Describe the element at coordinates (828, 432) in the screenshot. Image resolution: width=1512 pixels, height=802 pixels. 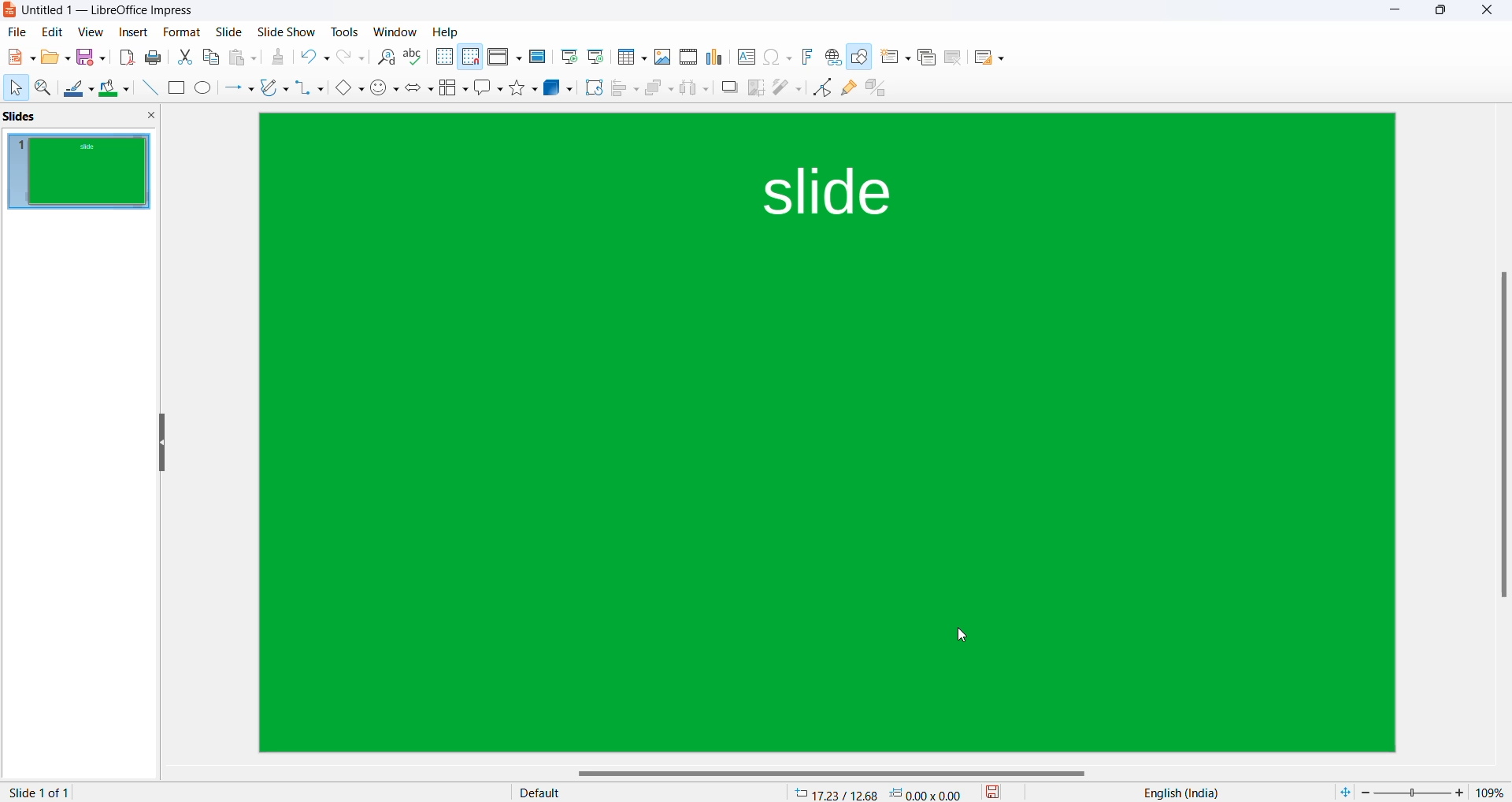
I see `background color` at that location.